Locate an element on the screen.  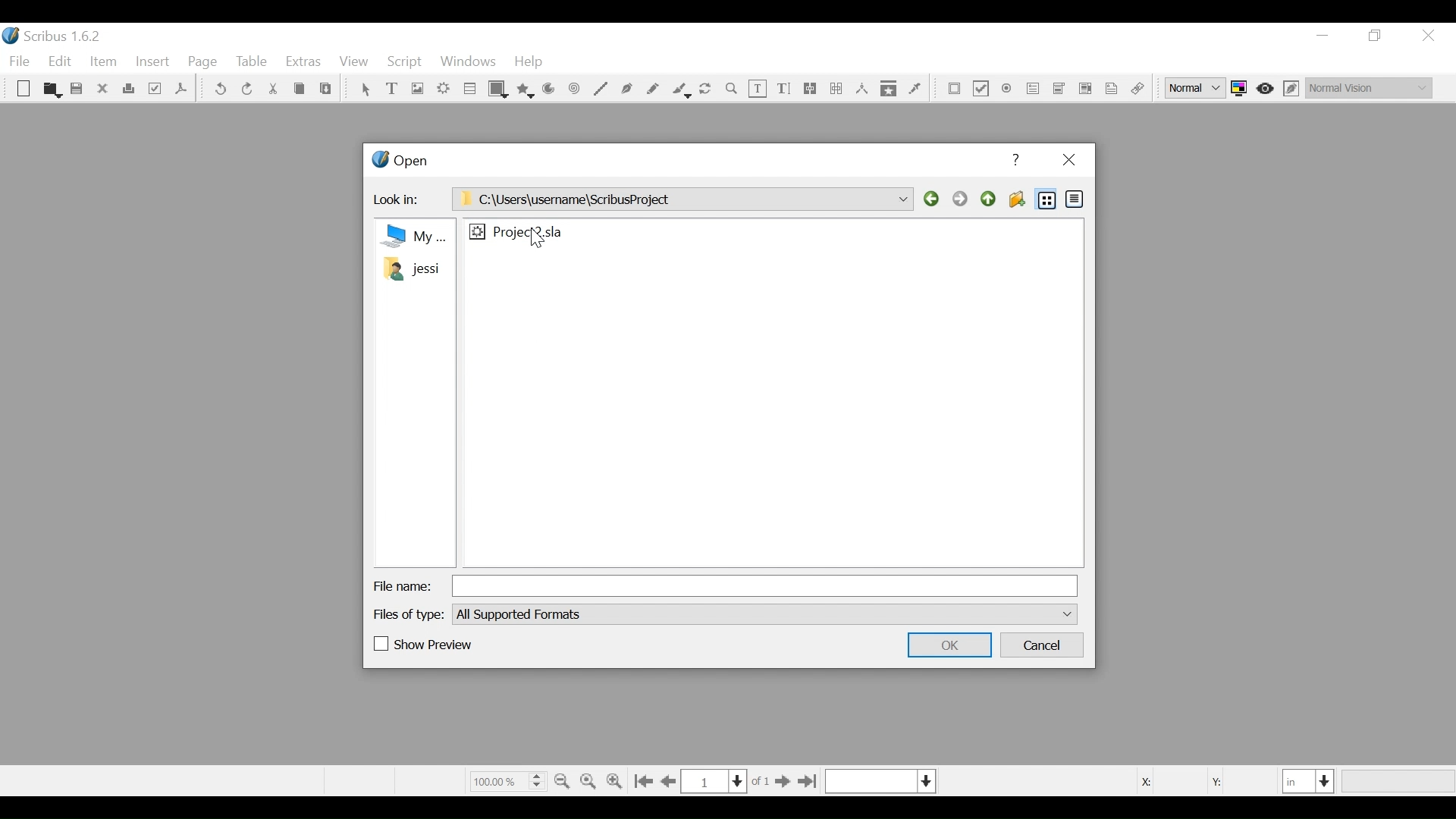
Script is located at coordinates (406, 62).